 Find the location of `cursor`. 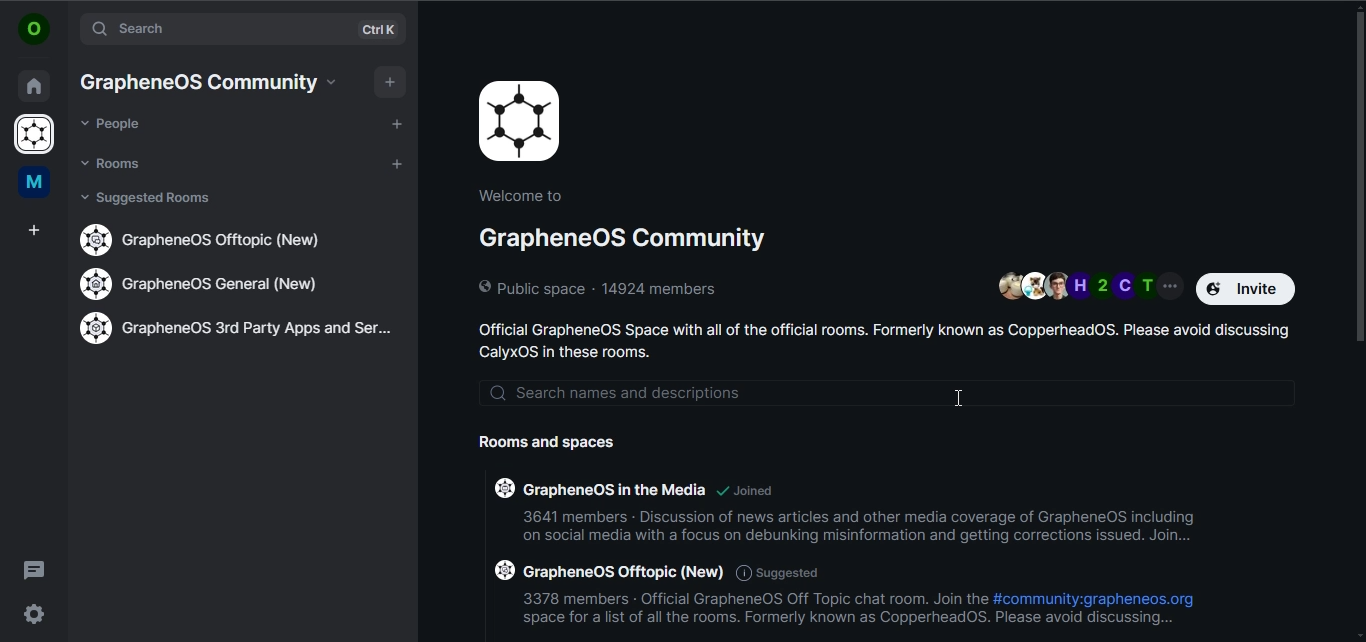

cursor is located at coordinates (962, 400).